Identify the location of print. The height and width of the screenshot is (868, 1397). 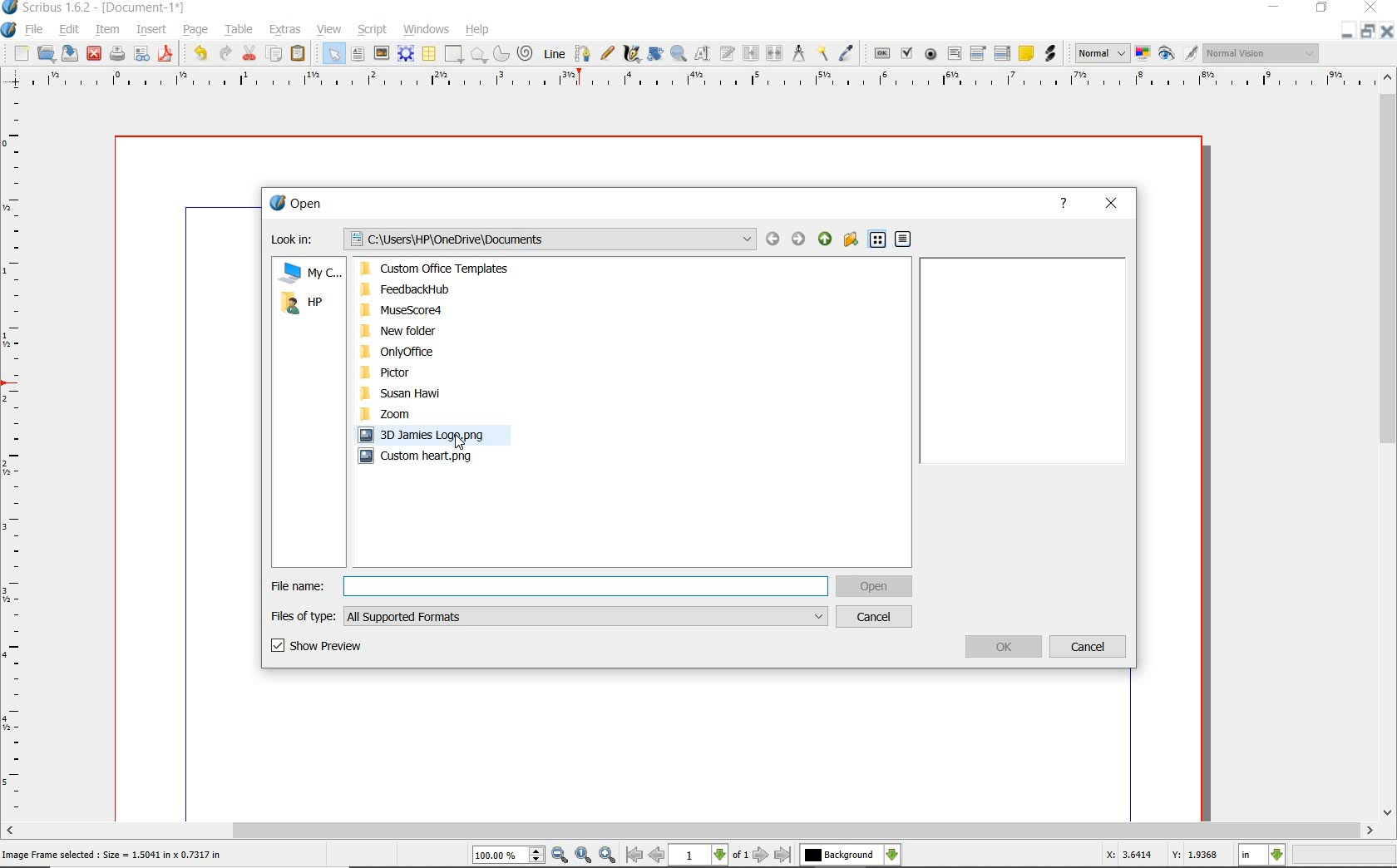
(116, 53).